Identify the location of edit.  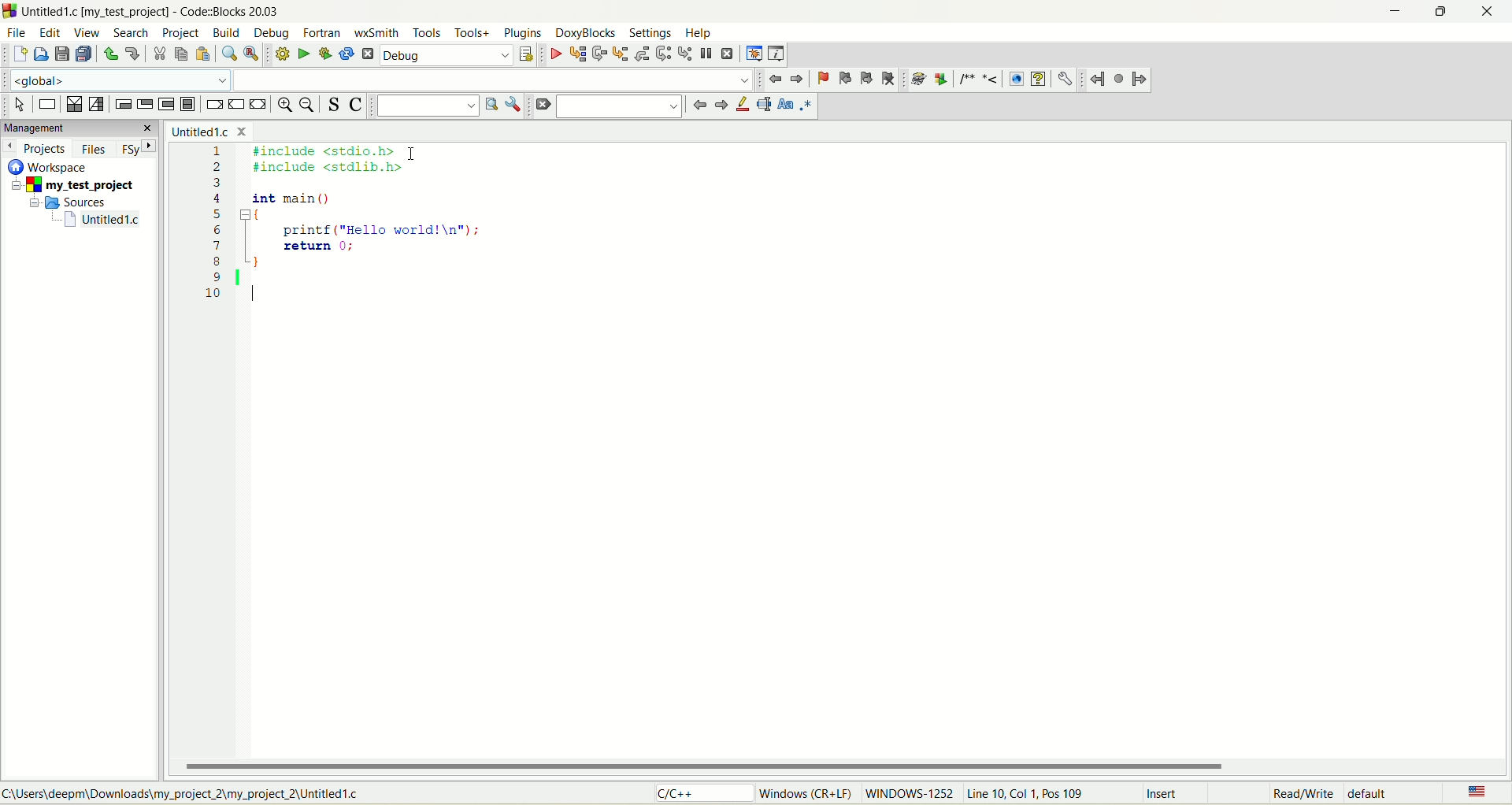
(51, 32).